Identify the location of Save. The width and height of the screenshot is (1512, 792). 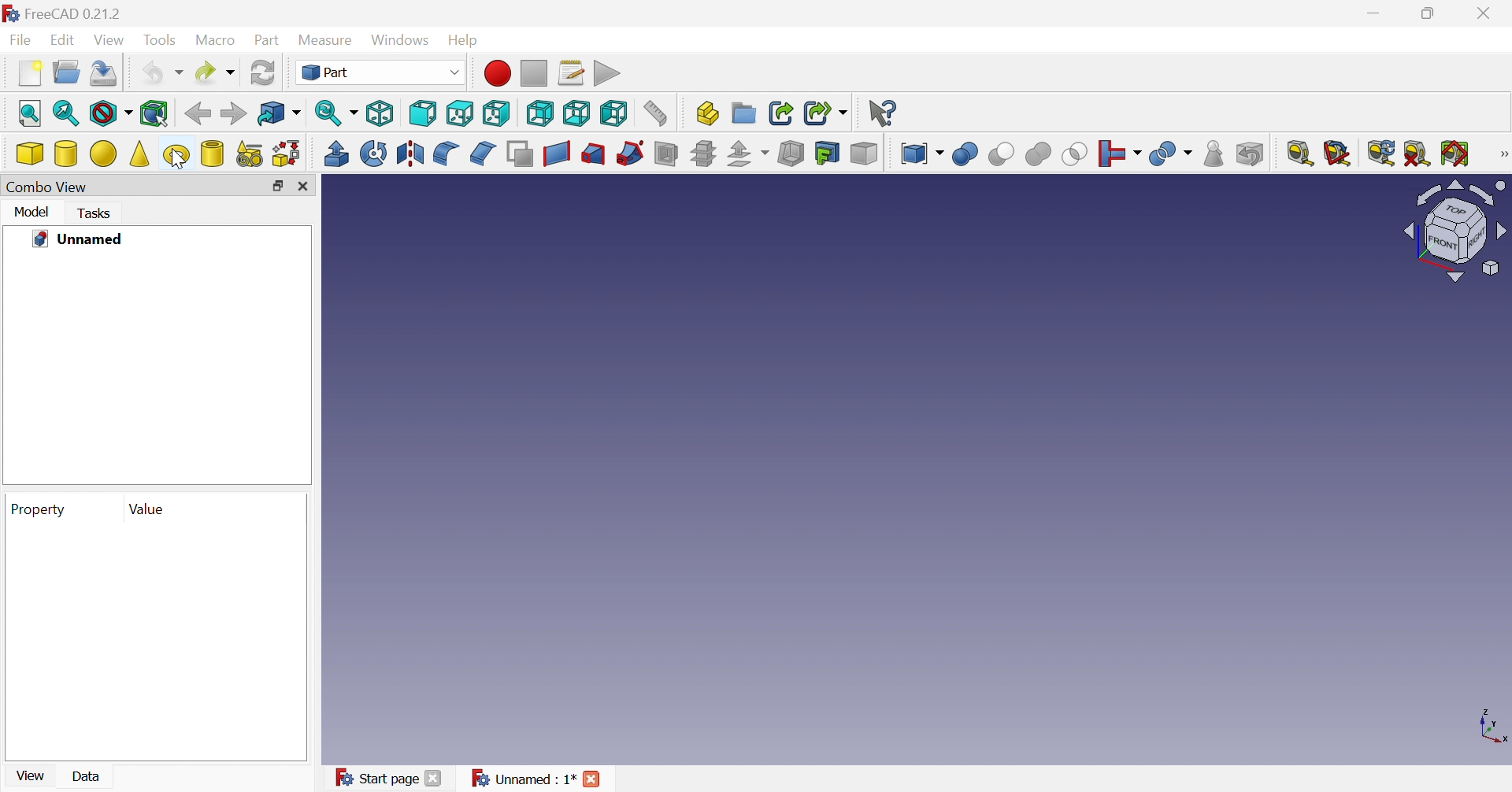
(104, 75).